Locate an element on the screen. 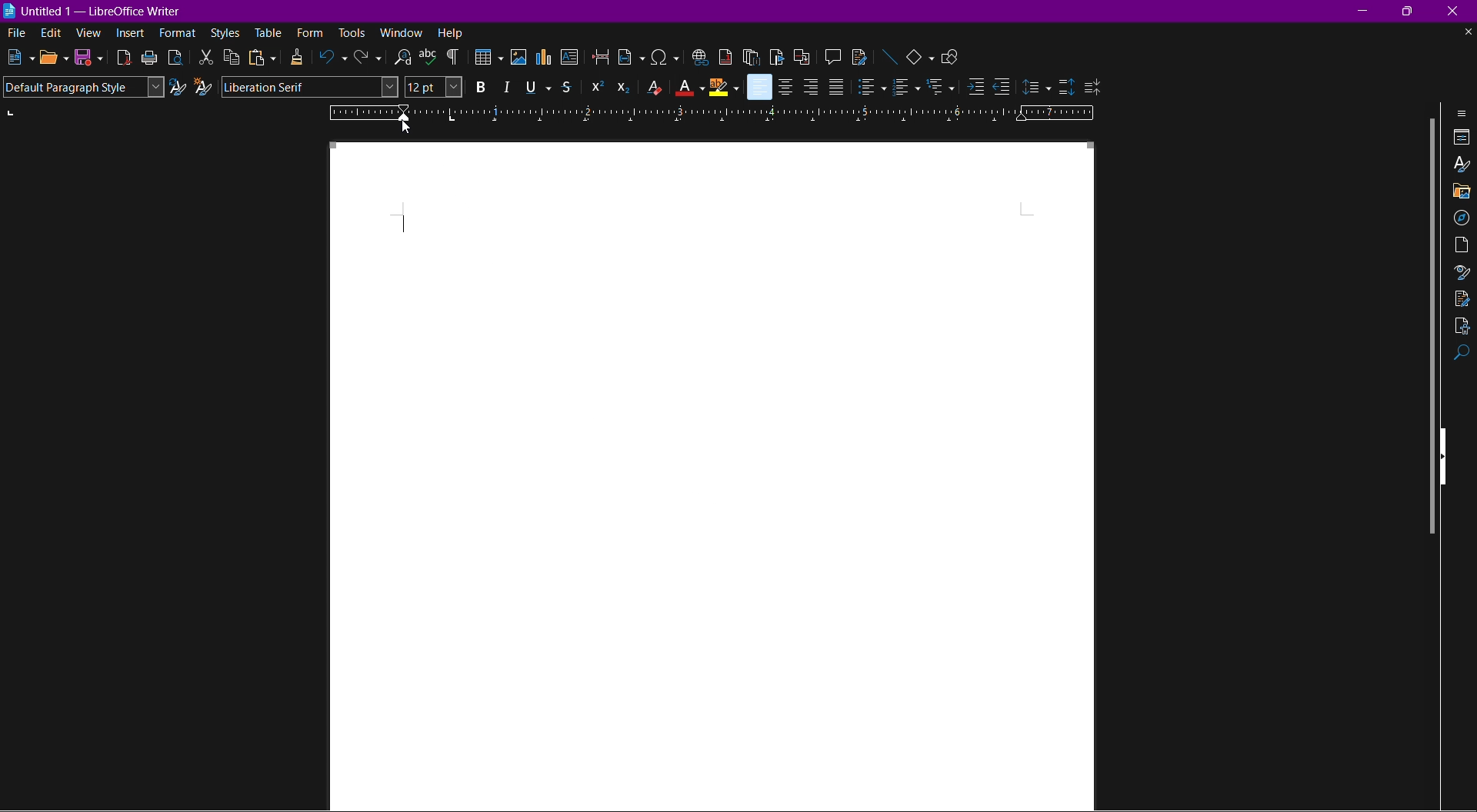  Styles is located at coordinates (225, 34).